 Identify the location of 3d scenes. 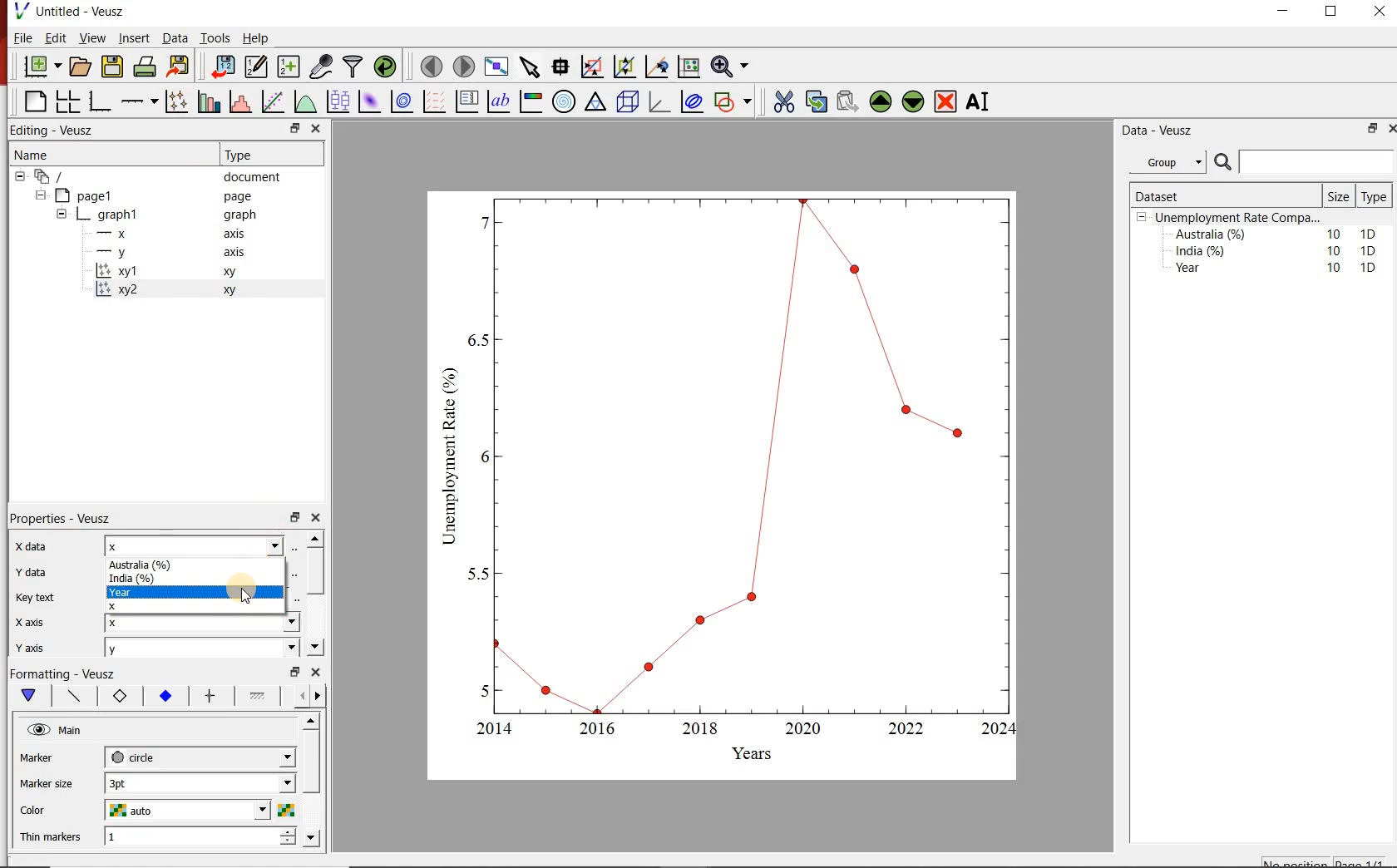
(625, 101).